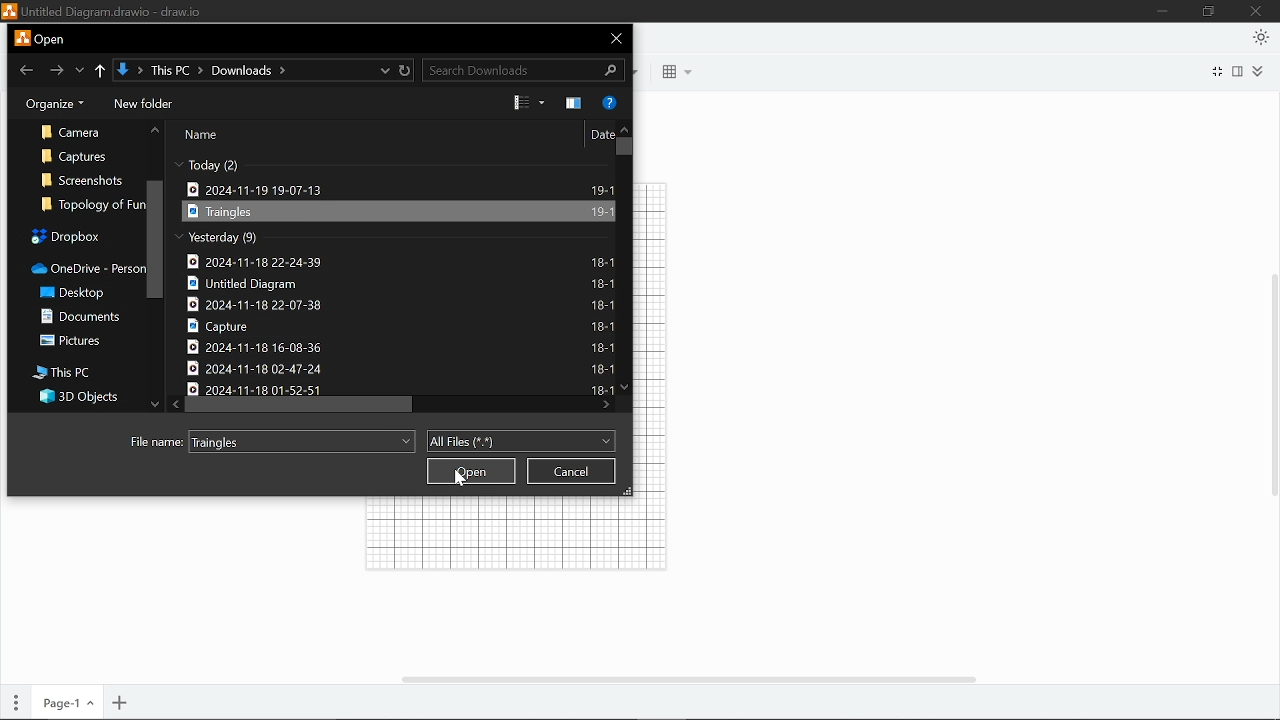 This screenshot has height=720, width=1280. What do you see at coordinates (624, 147) in the screenshot?
I see `Vertical scrollbar for files` at bounding box center [624, 147].